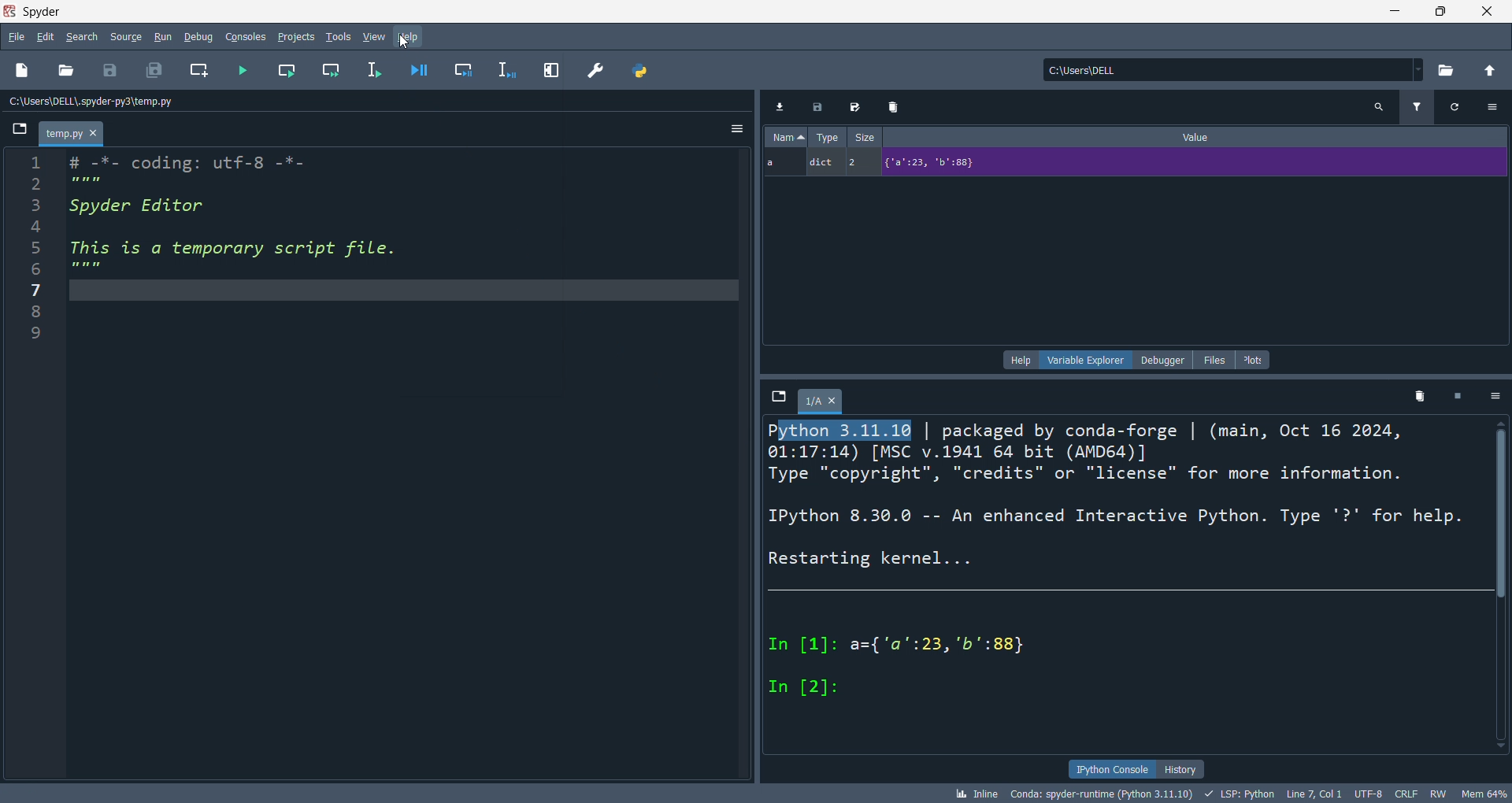 The image size is (1512, 803). Describe the element at coordinates (246, 73) in the screenshot. I see `run file` at that location.